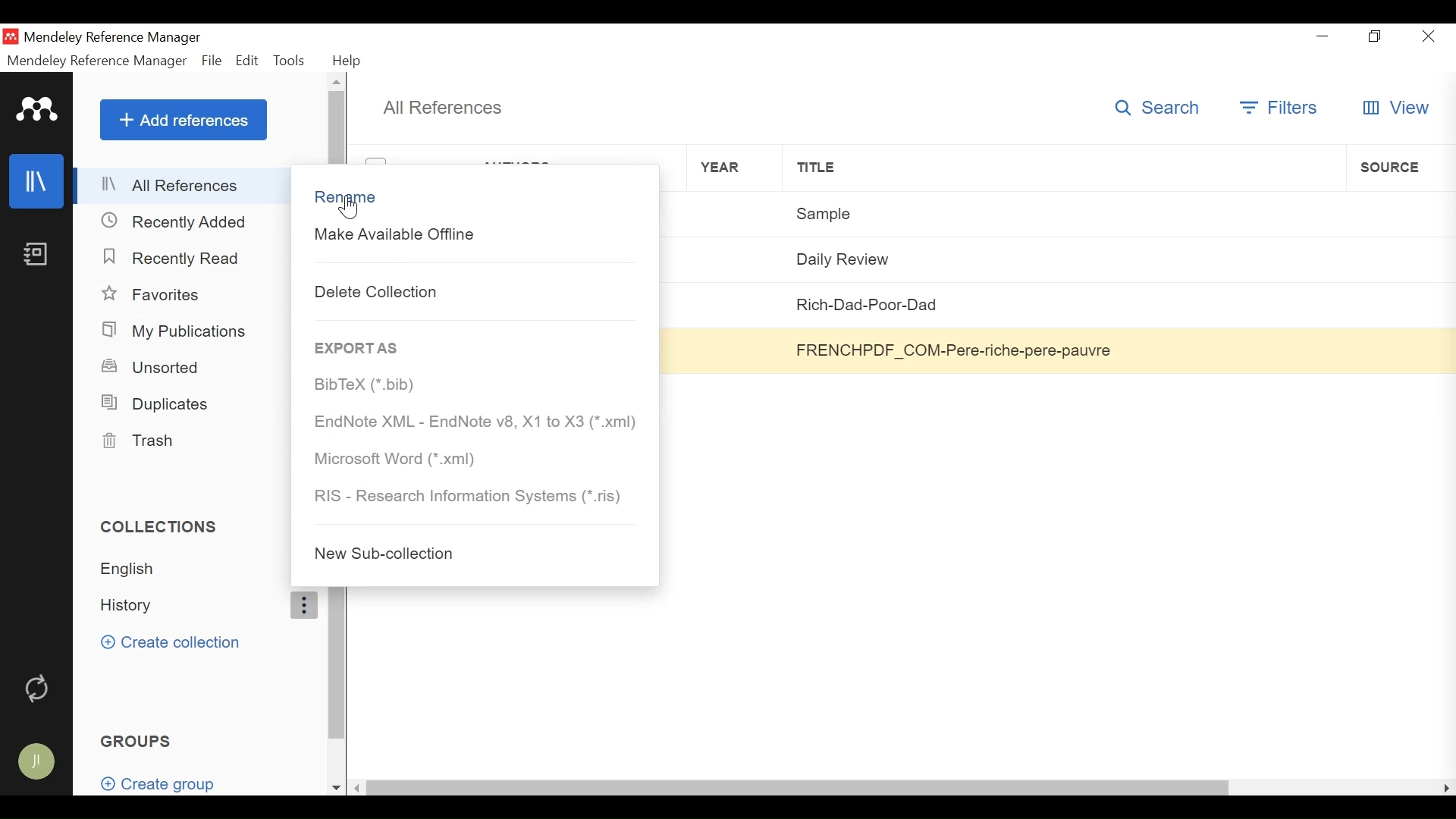 The image size is (1456, 819). What do you see at coordinates (360, 787) in the screenshot?
I see `Scroll left` at bounding box center [360, 787].